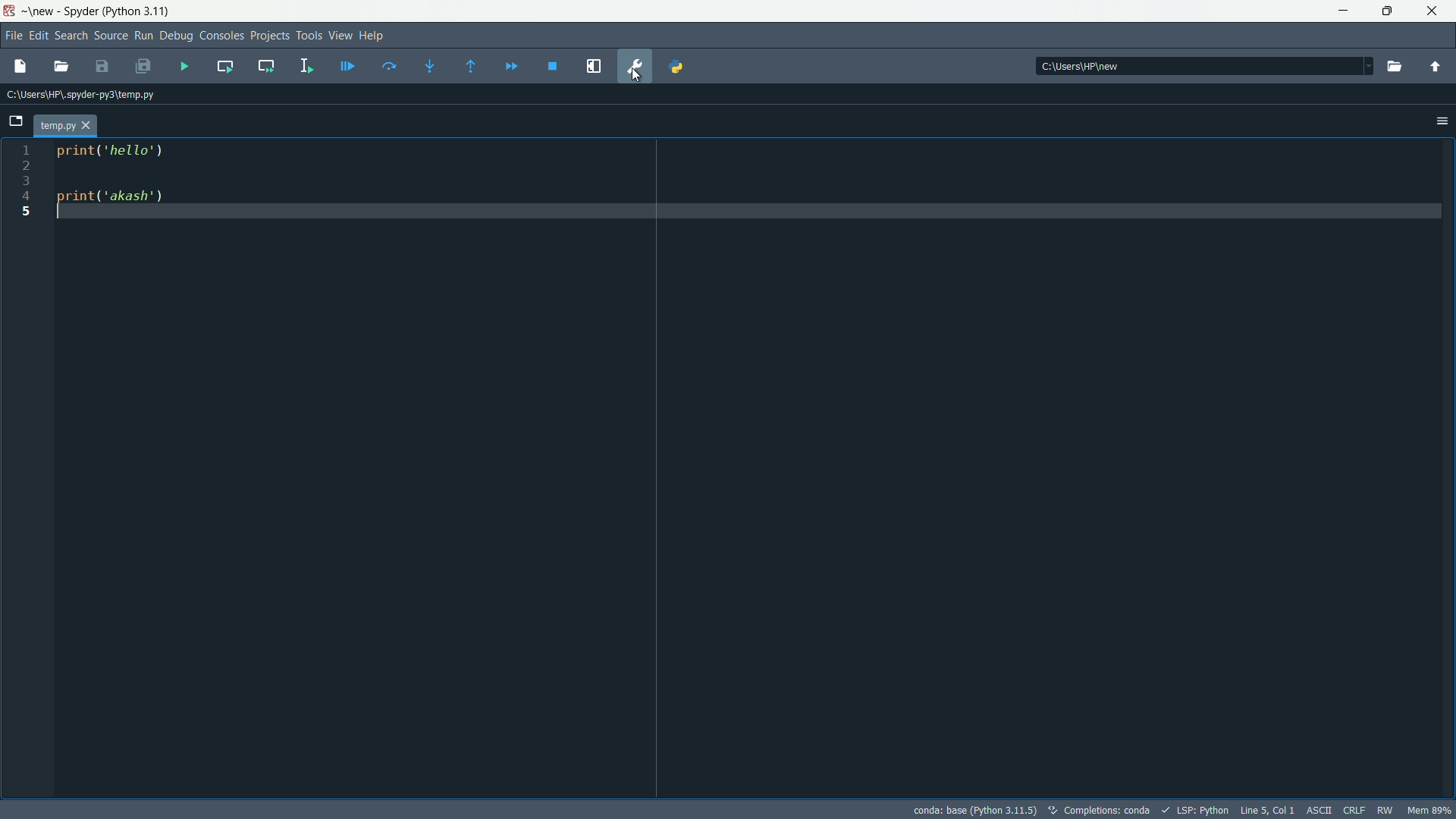 The height and width of the screenshot is (819, 1456). Describe the element at coordinates (19, 65) in the screenshot. I see `new file` at that location.